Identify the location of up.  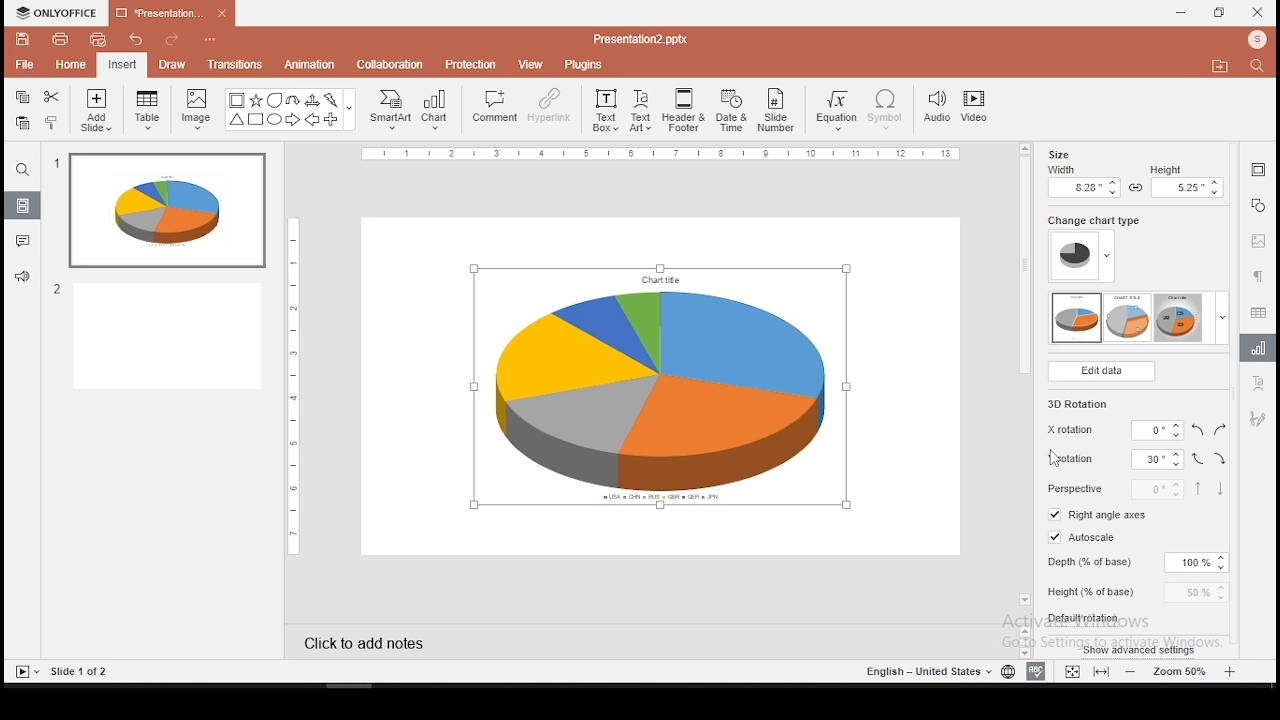
(1198, 459).